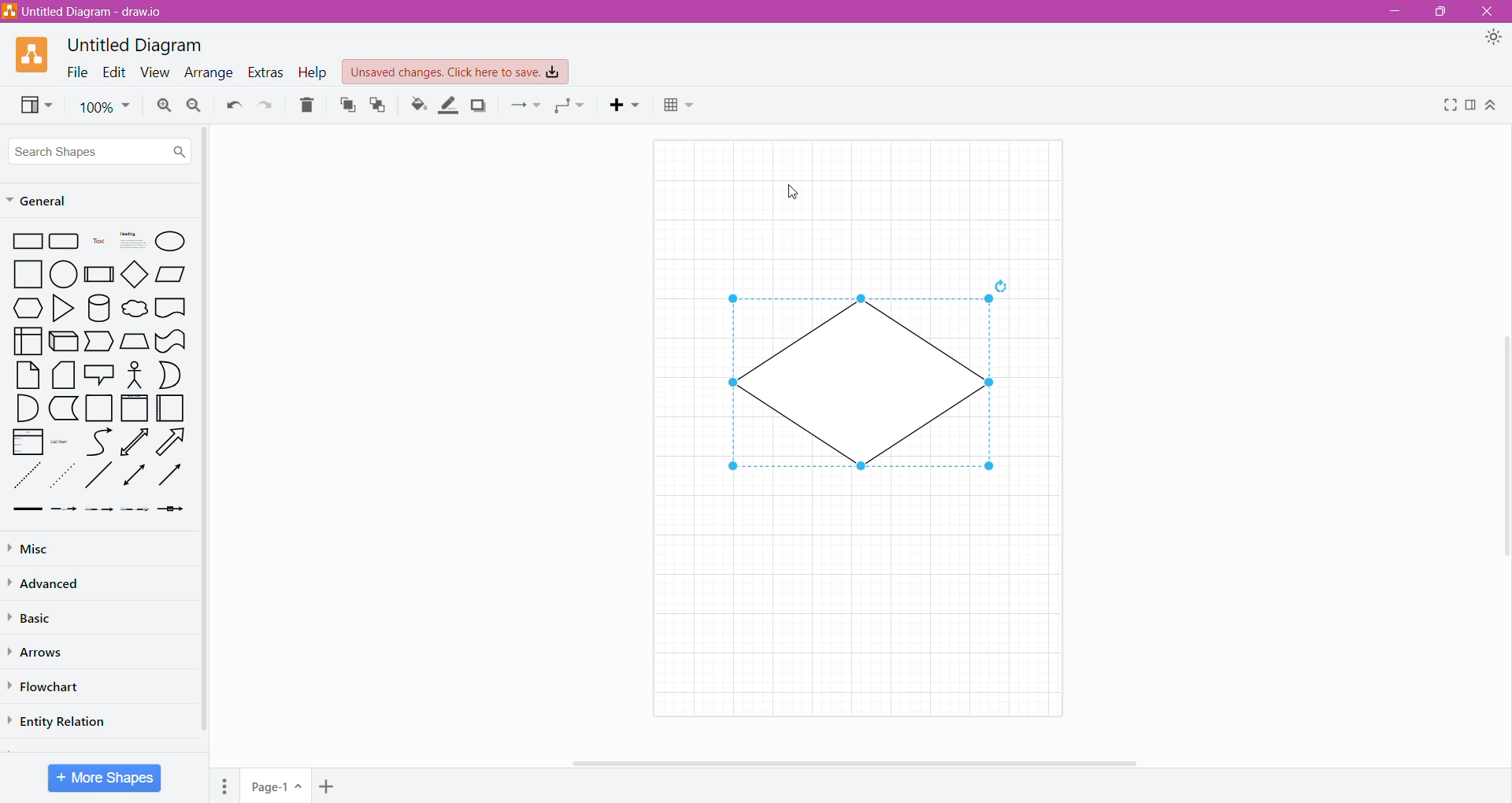  Describe the element at coordinates (791, 193) in the screenshot. I see `Cursor` at that location.